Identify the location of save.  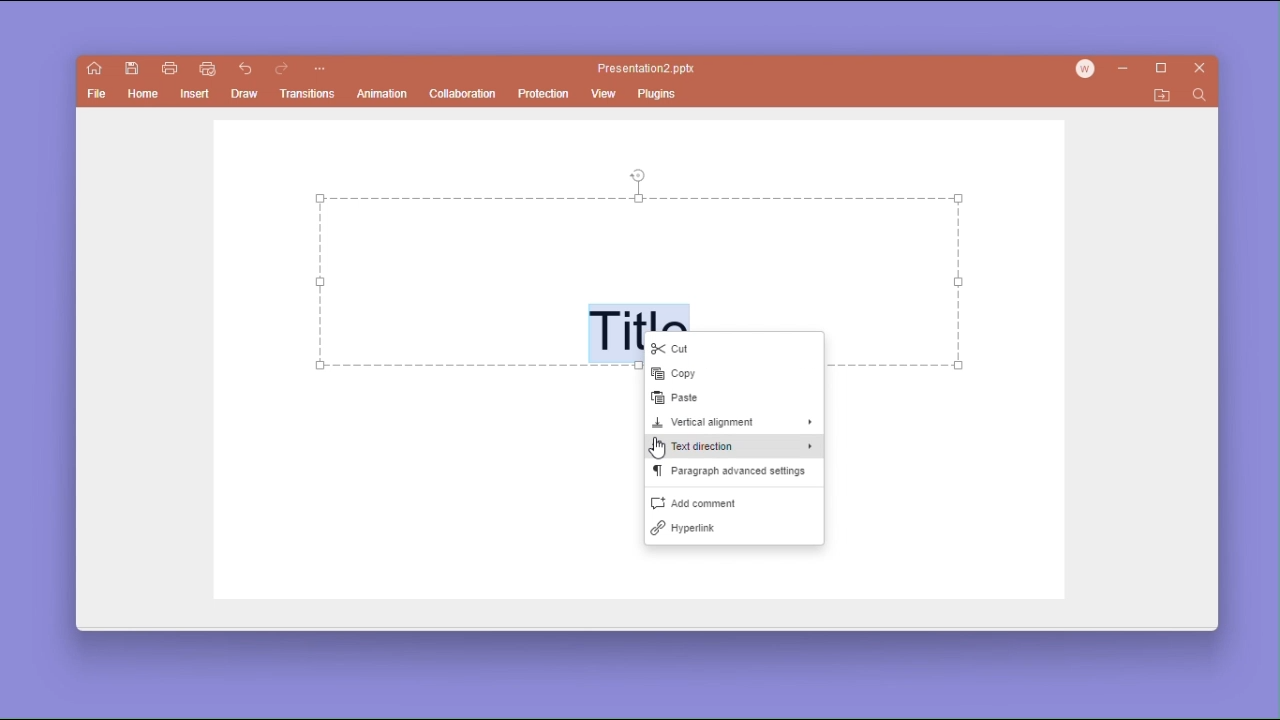
(133, 69).